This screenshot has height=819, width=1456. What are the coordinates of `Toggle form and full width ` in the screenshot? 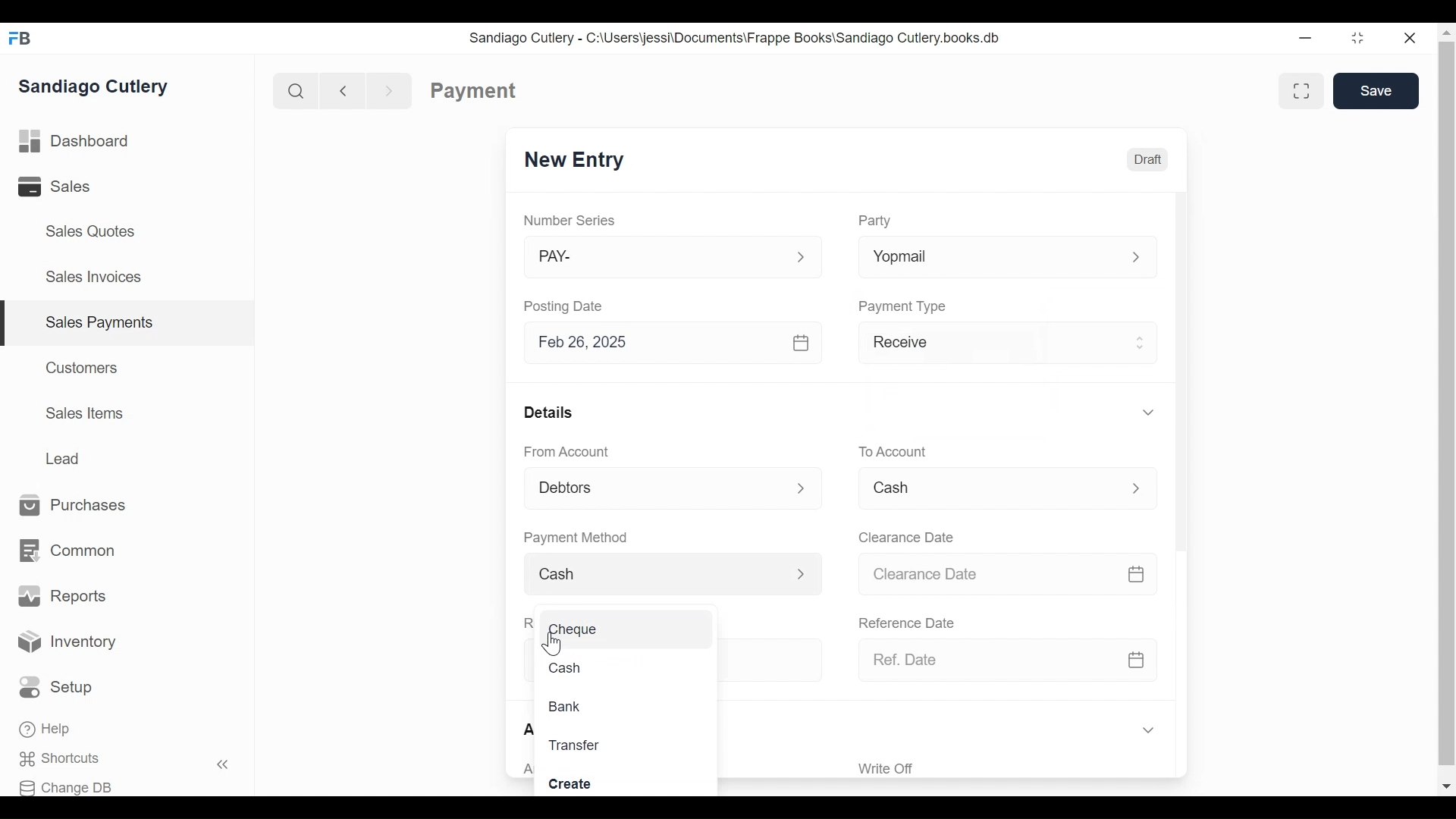 It's located at (1299, 88).